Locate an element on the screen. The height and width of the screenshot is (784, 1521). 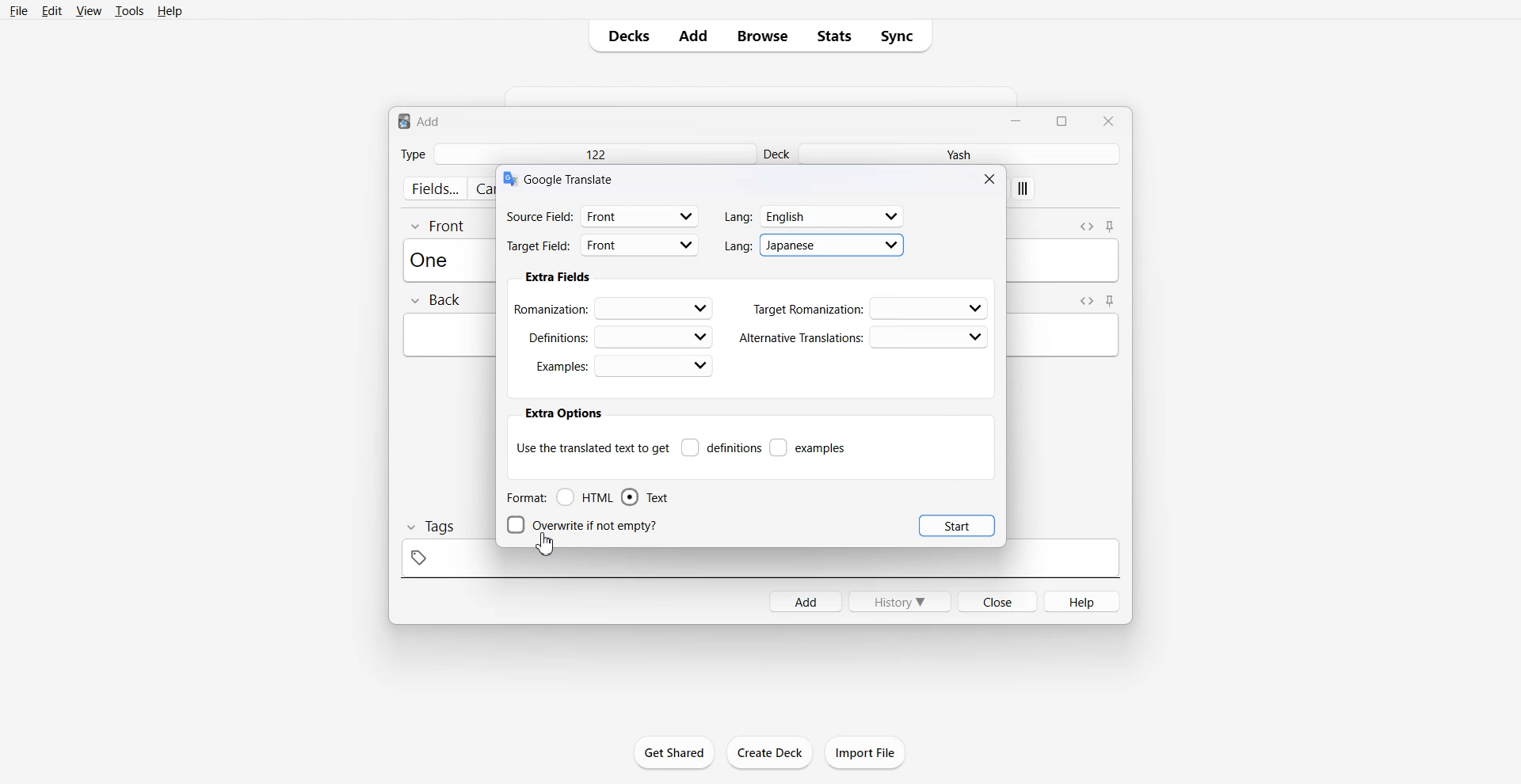
Close is located at coordinates (1107, 120).